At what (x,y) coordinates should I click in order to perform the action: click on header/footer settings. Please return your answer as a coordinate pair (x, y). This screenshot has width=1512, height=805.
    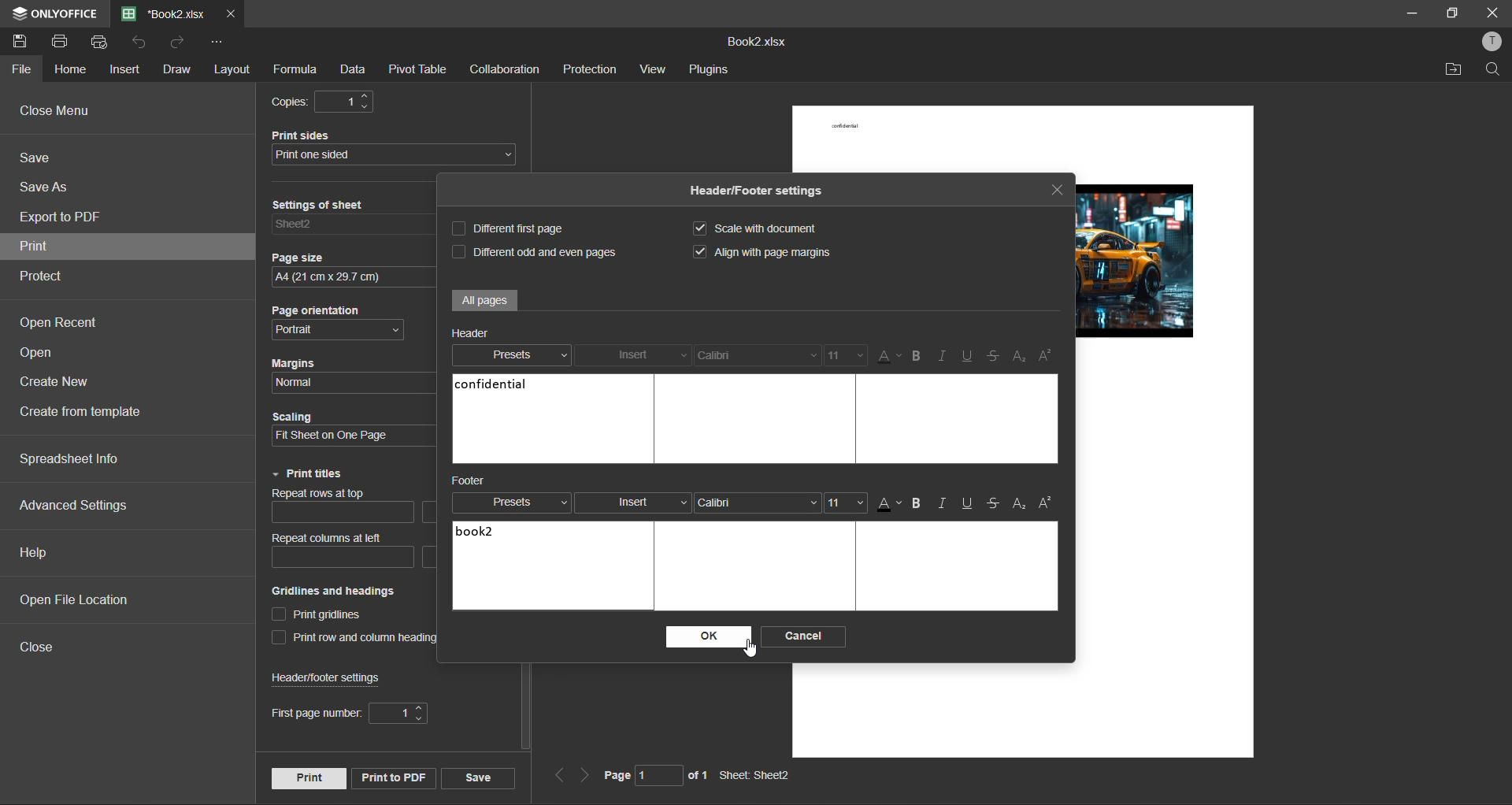
    Looking at the image, I should click on (328, 676).